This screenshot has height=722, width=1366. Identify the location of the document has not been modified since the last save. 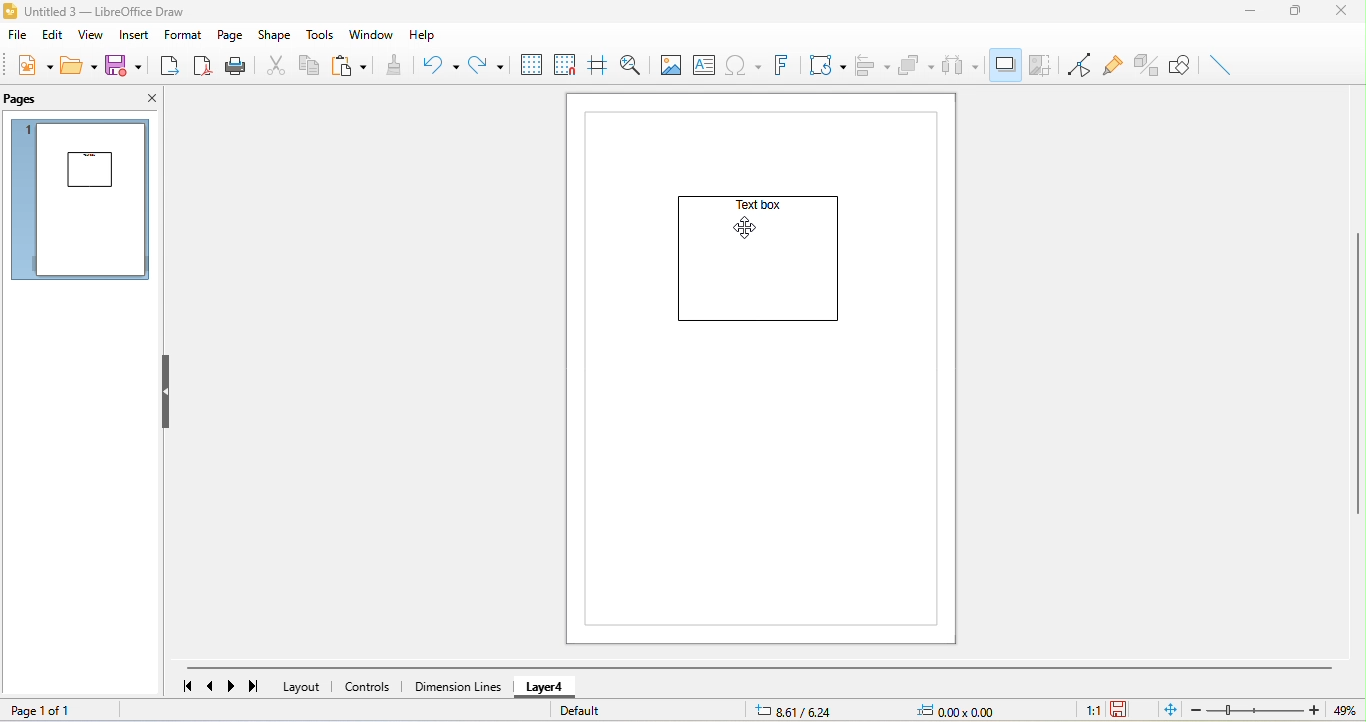
(1130, 711).